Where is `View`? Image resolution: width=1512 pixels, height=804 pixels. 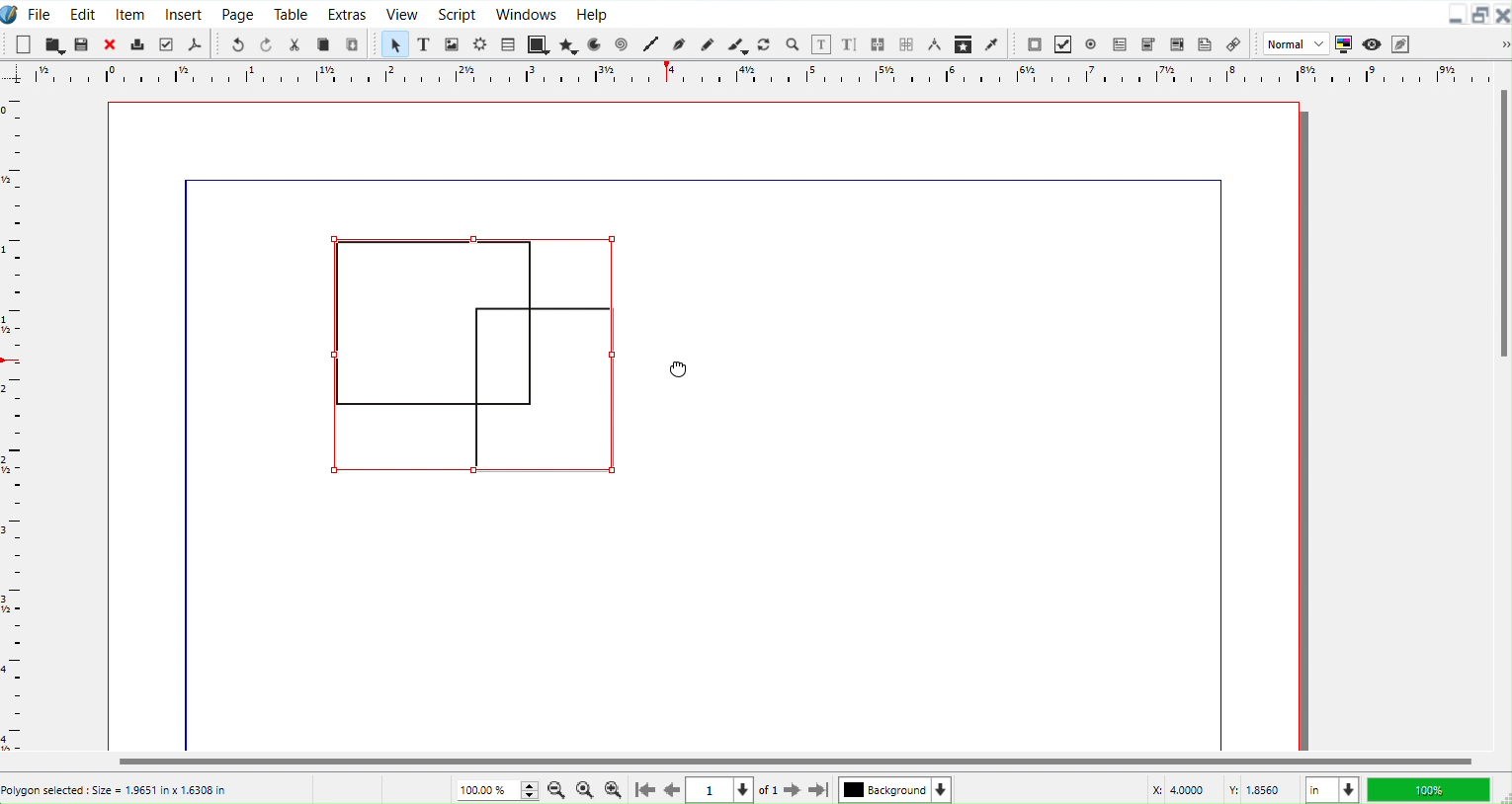 View is located at coordinates (400, 13).